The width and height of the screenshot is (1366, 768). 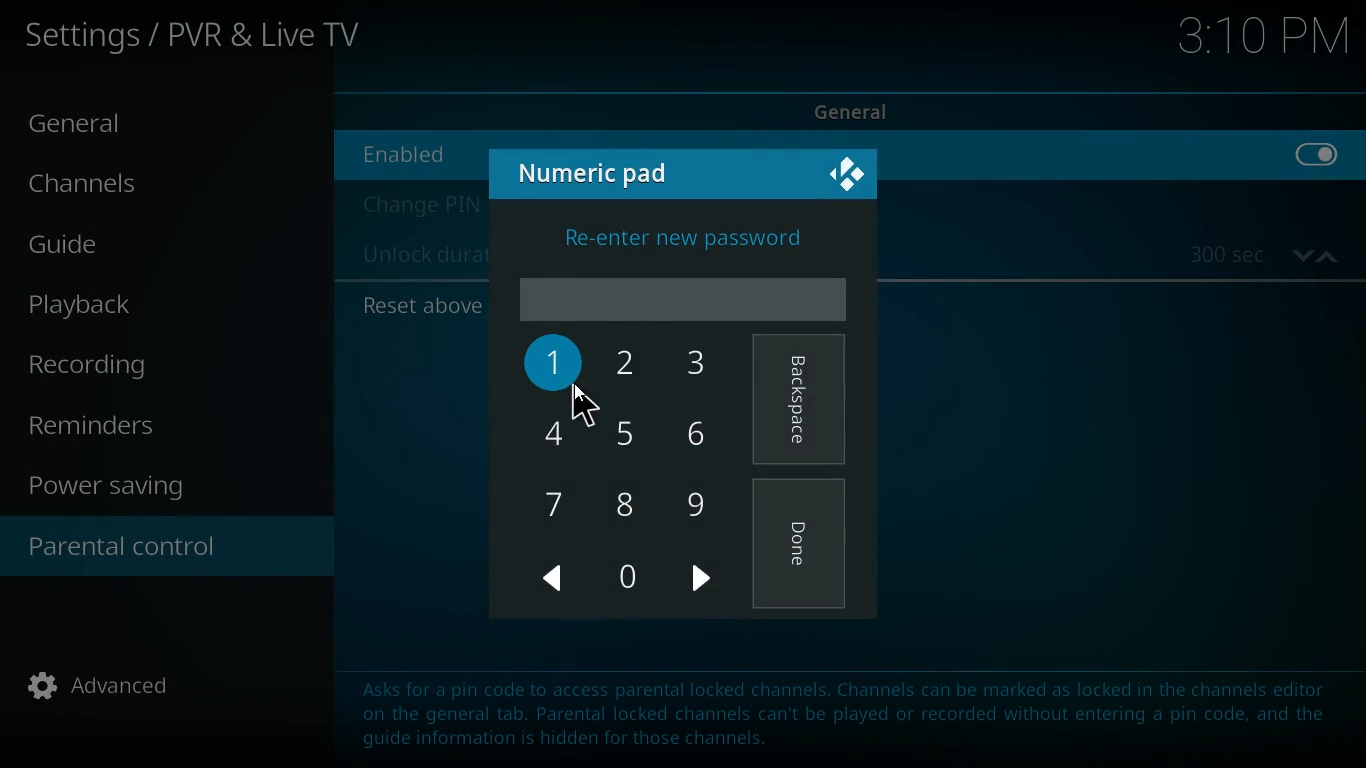 What do you see at coordinates (421, 257) in the screenshot?
I see `unlock duration` at bounding box center [421, 257].